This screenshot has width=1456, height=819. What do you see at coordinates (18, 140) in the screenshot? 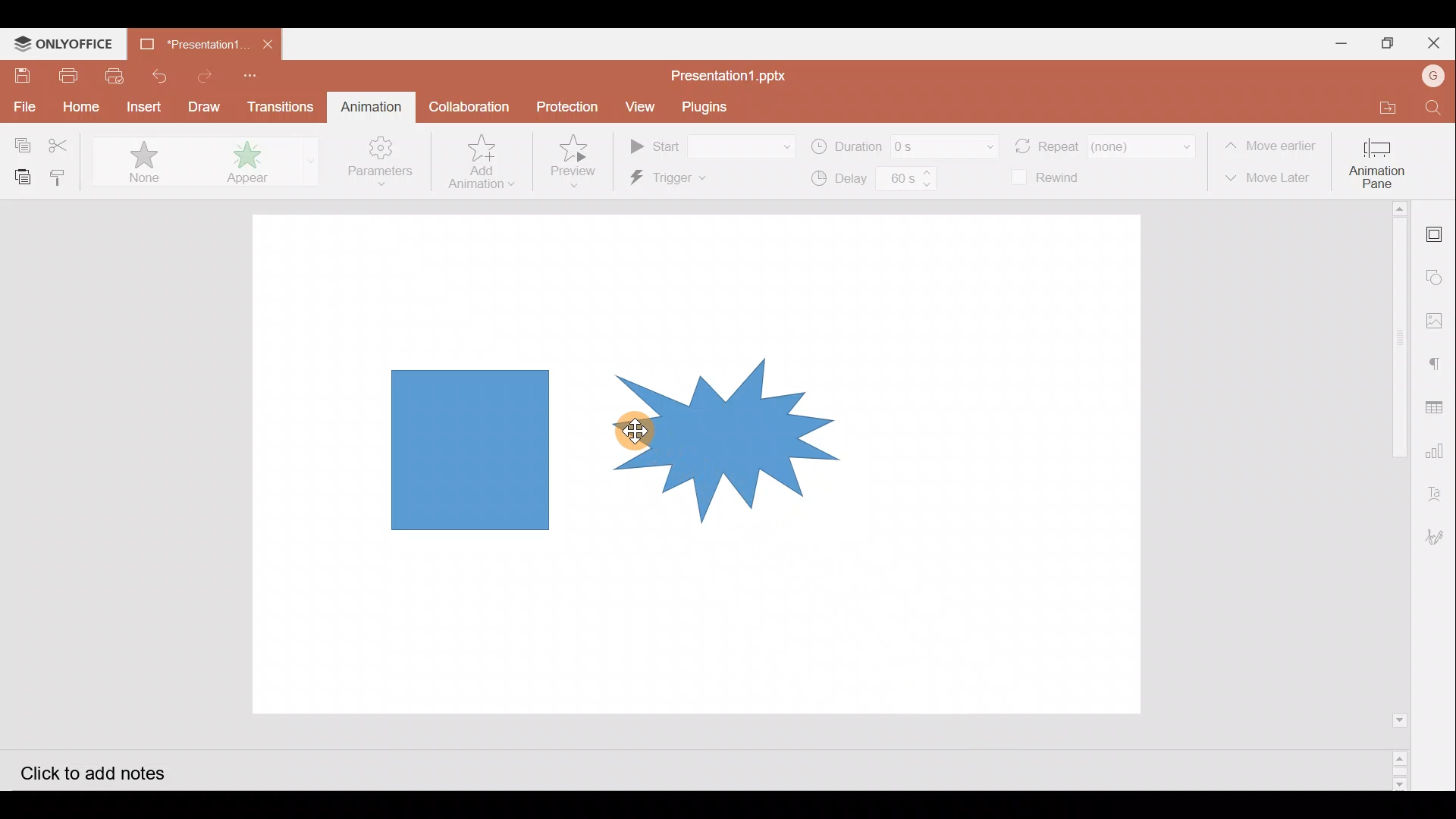
I see `Copy` at bounding box center [18, 140].